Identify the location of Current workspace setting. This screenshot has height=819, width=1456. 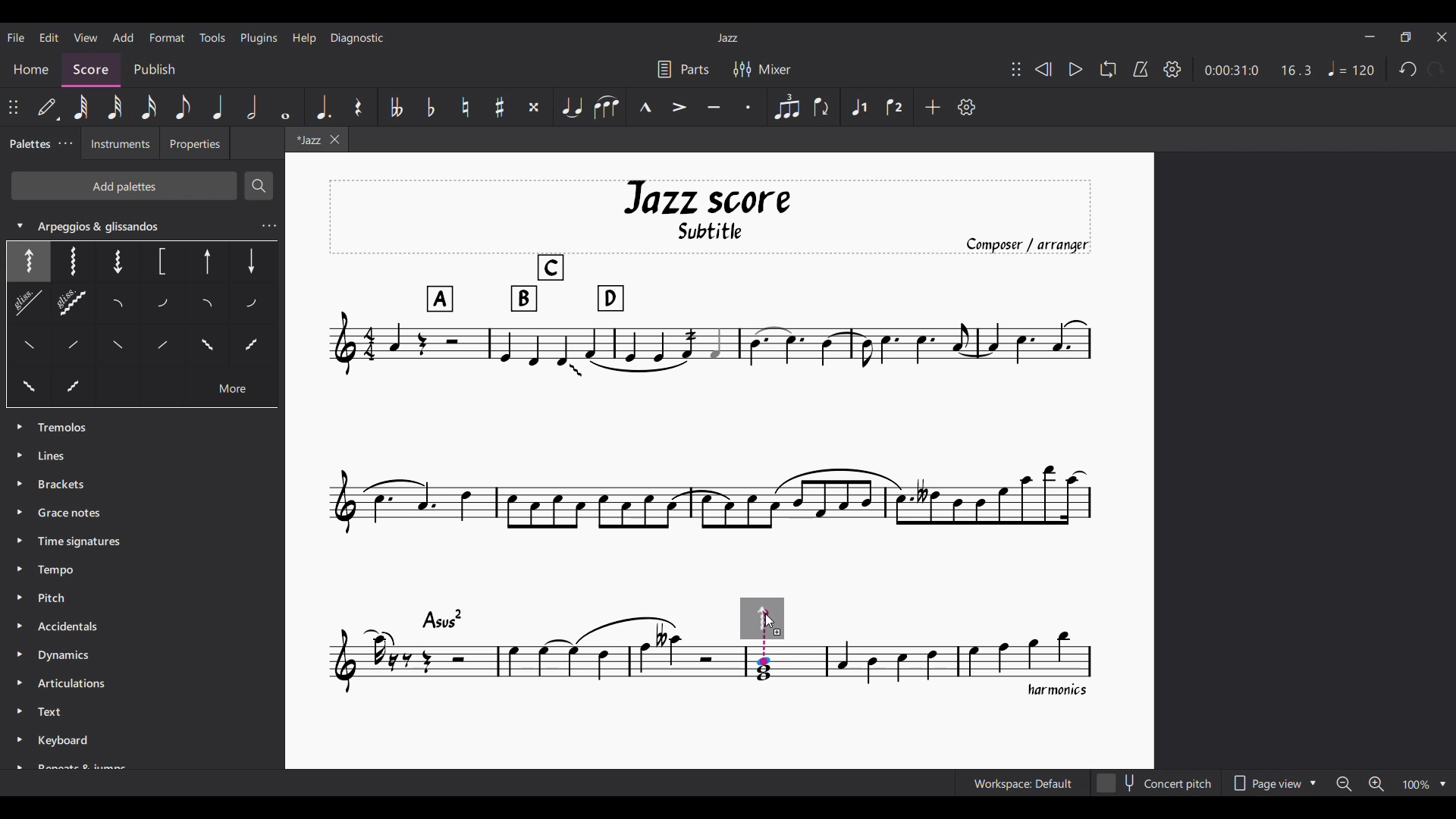
(1023, 783).